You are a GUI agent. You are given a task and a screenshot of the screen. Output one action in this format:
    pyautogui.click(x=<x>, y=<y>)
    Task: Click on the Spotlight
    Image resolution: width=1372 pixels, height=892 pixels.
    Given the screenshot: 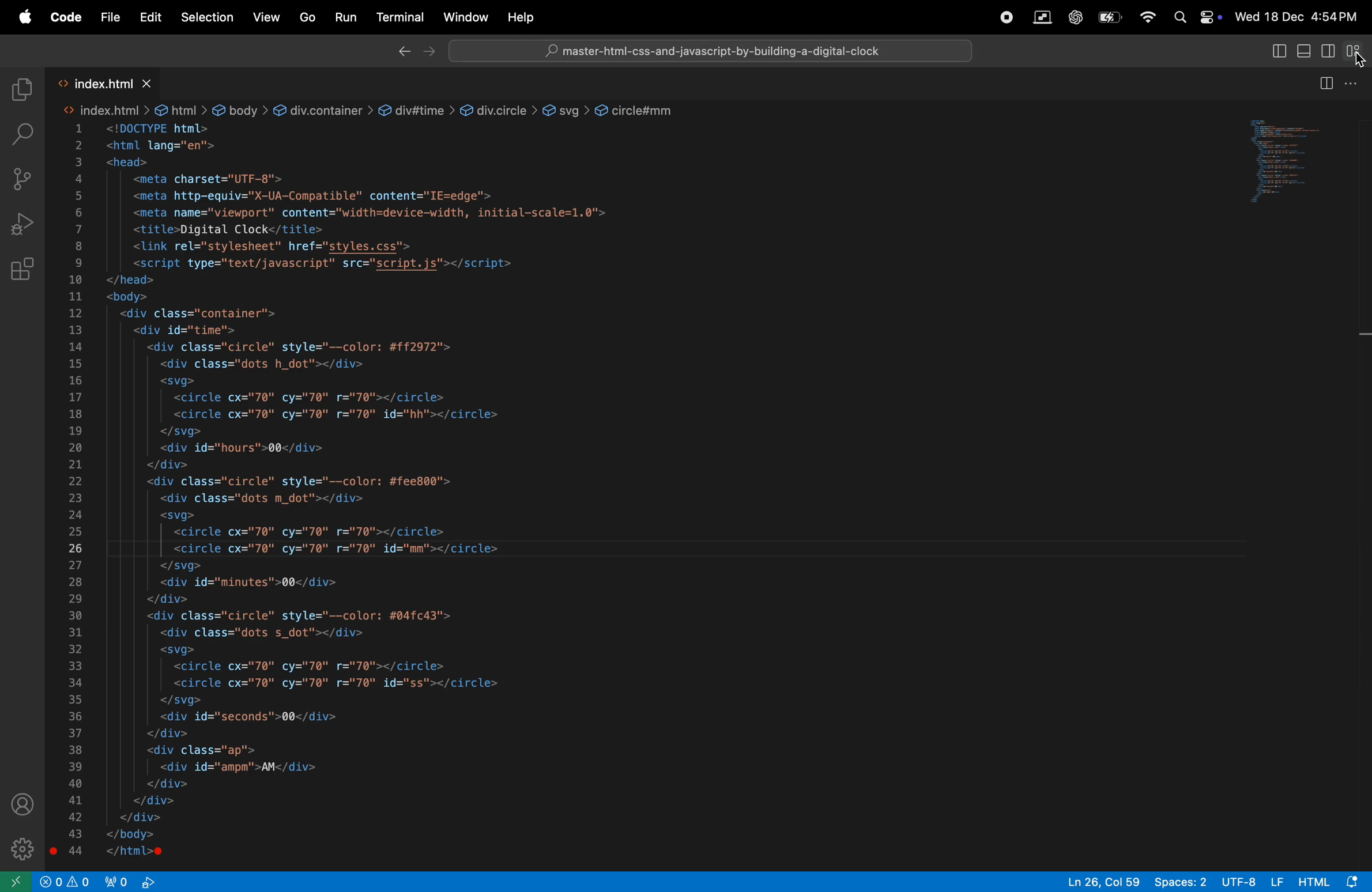 What is the action you would take?
    pyautogui.click(x=1178, y=18)
    